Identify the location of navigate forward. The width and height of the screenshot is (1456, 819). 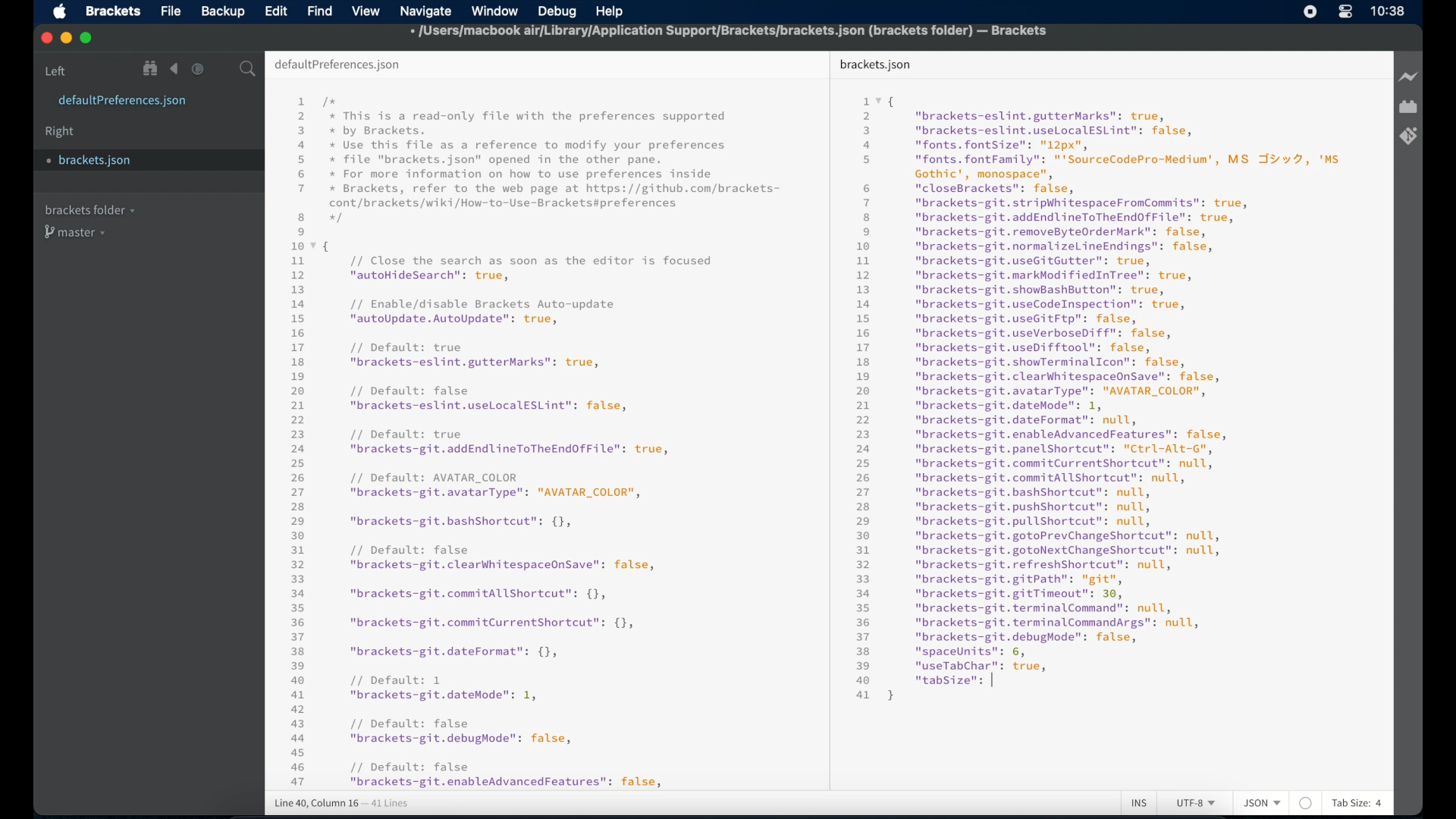
(198, 69).